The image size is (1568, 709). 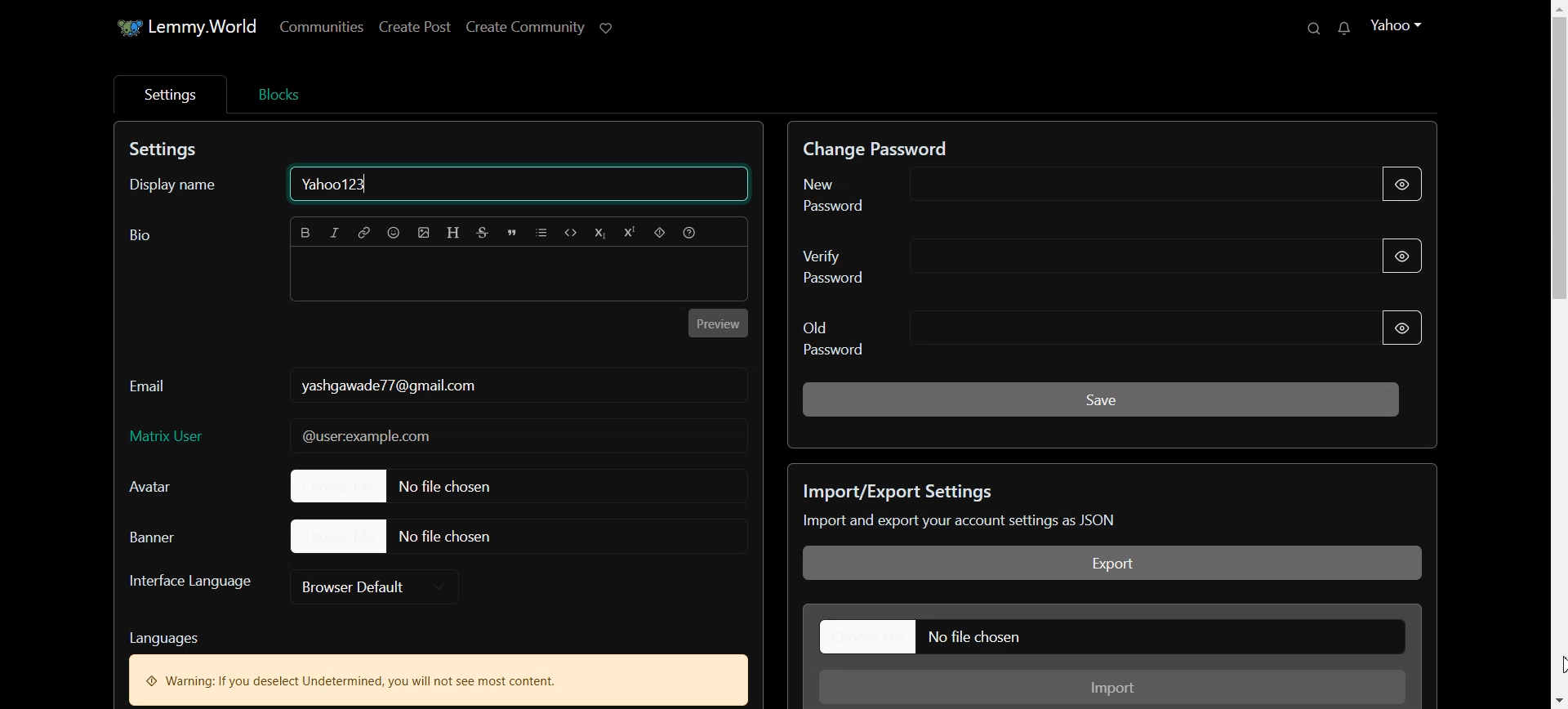 I want to click on Italic, so click(x=336, y=234).